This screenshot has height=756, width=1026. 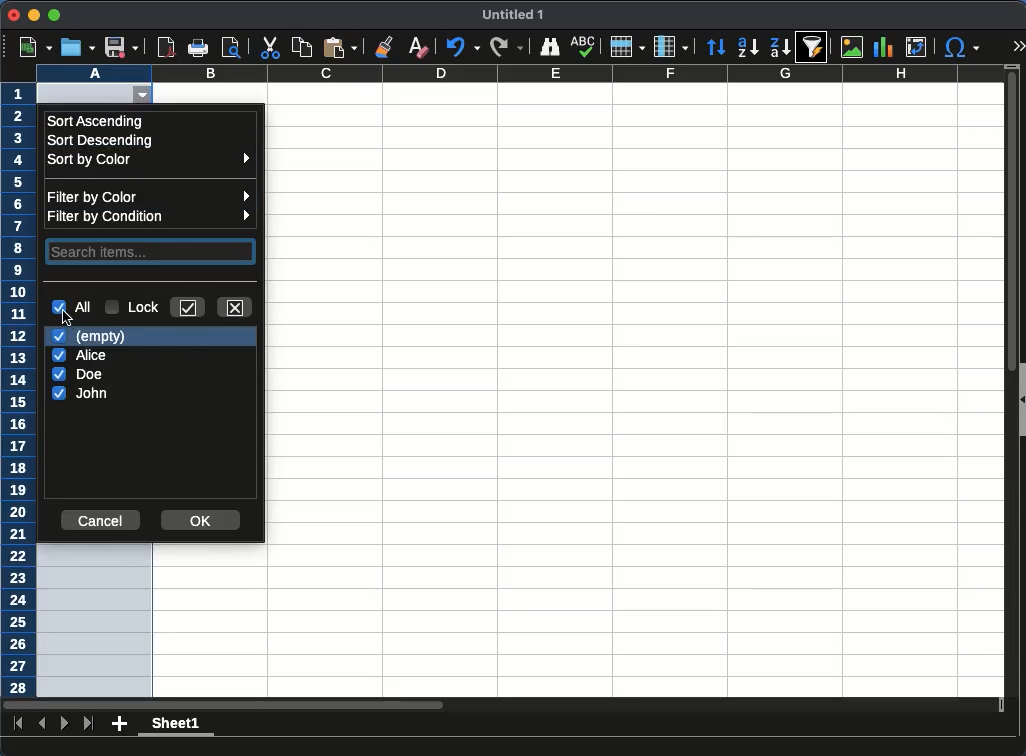 What do you see at coordinates (71, 306) in the screenshot?
I see `all` at bounding box center [71, 306].